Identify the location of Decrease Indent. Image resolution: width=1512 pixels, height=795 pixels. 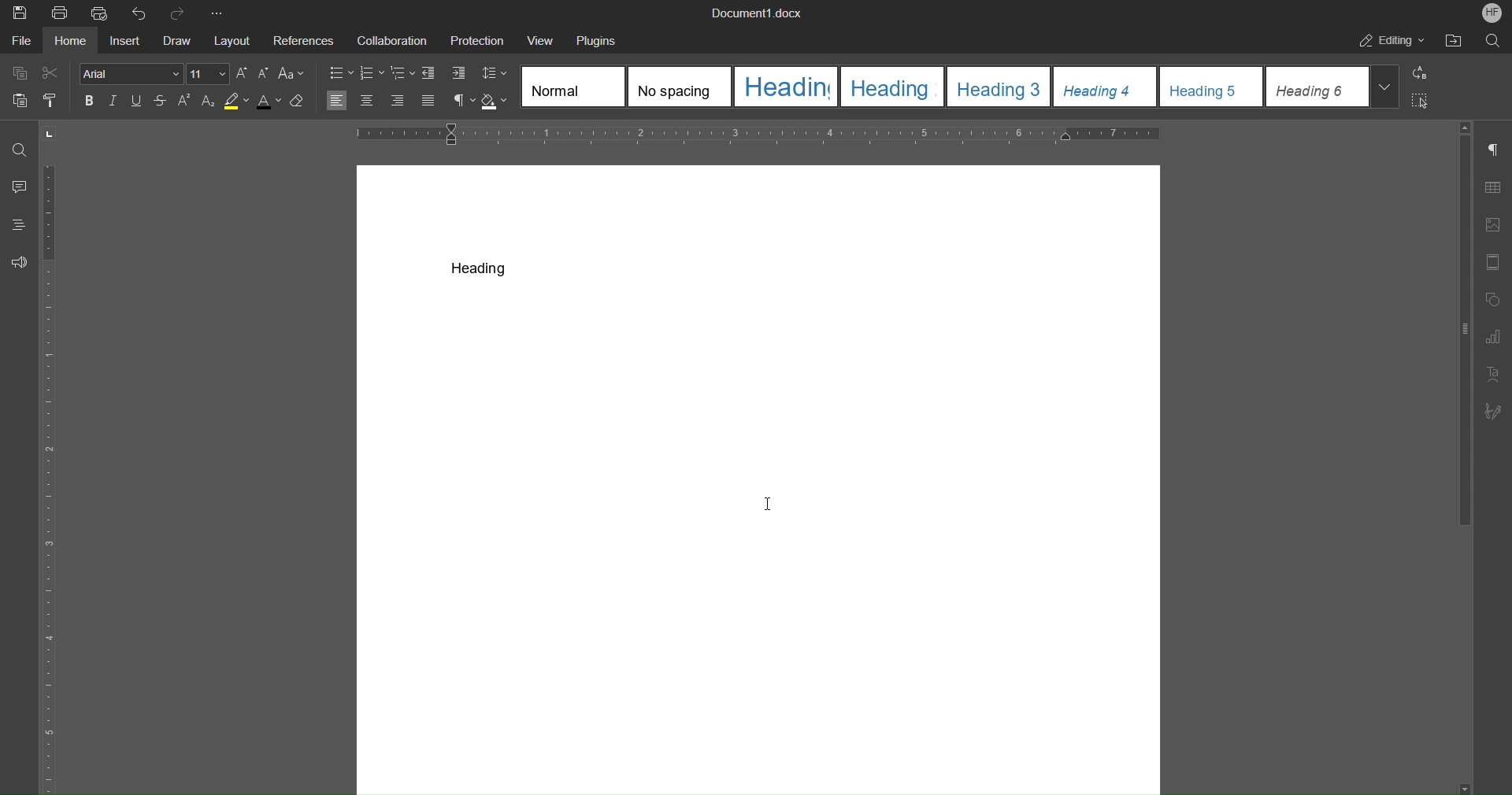
(431, 73).